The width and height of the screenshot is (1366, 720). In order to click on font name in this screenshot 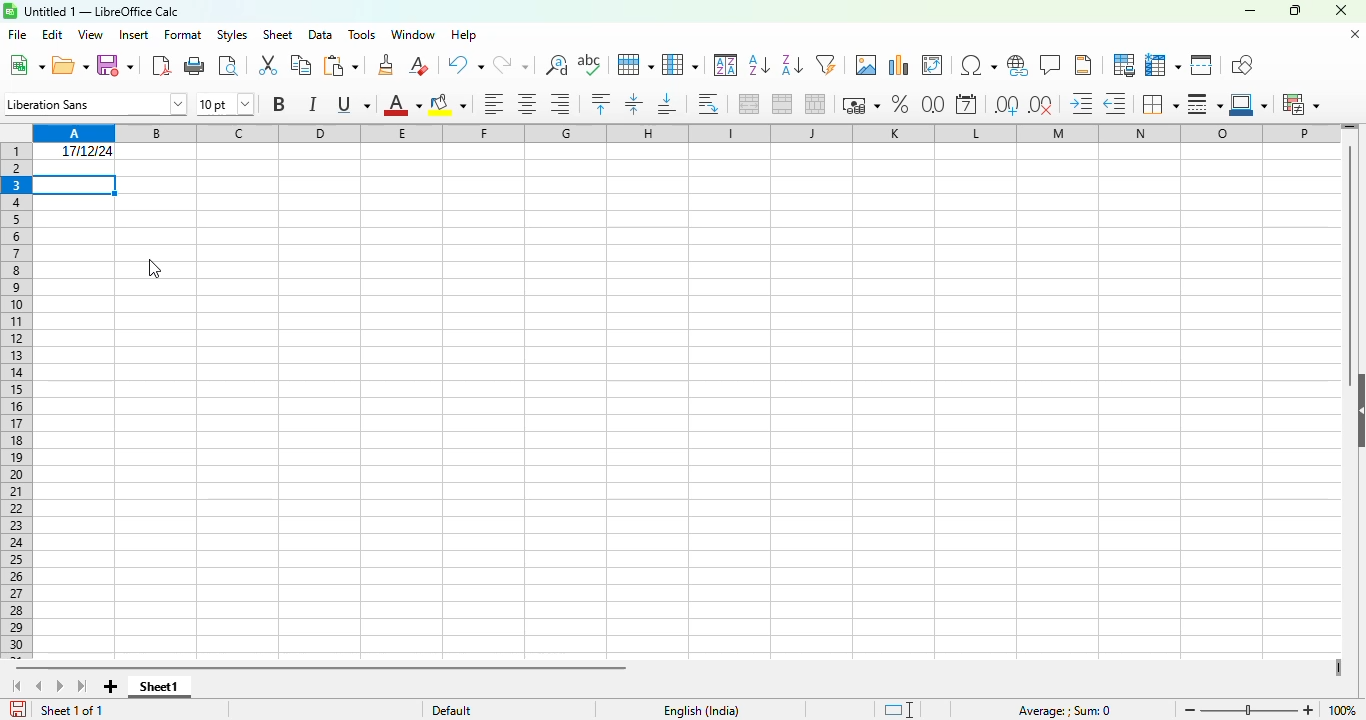, I will do `click(96, 104)`.